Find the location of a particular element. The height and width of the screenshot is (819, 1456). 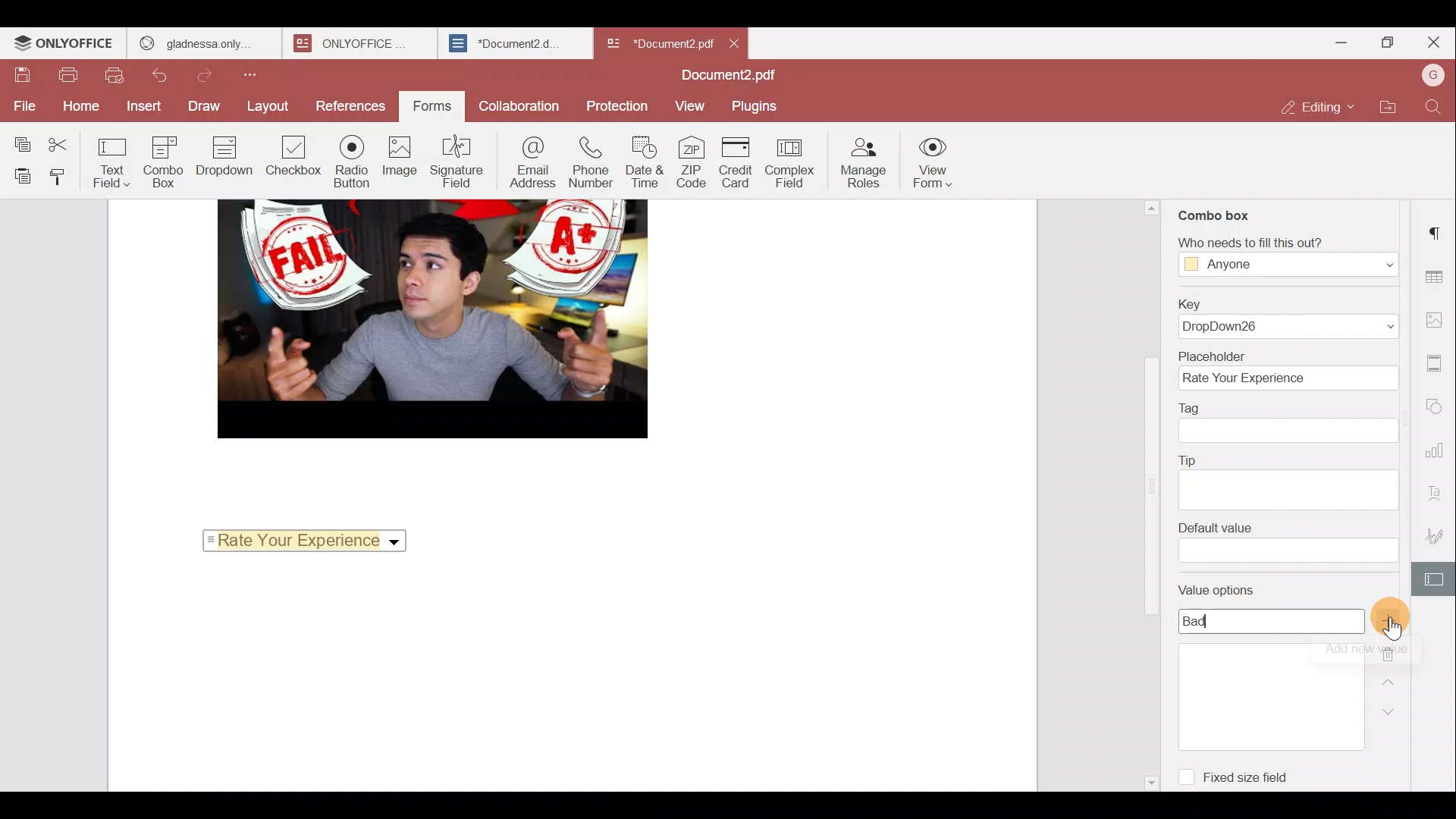

Text Art settings is located at coordinates (1438, 491).